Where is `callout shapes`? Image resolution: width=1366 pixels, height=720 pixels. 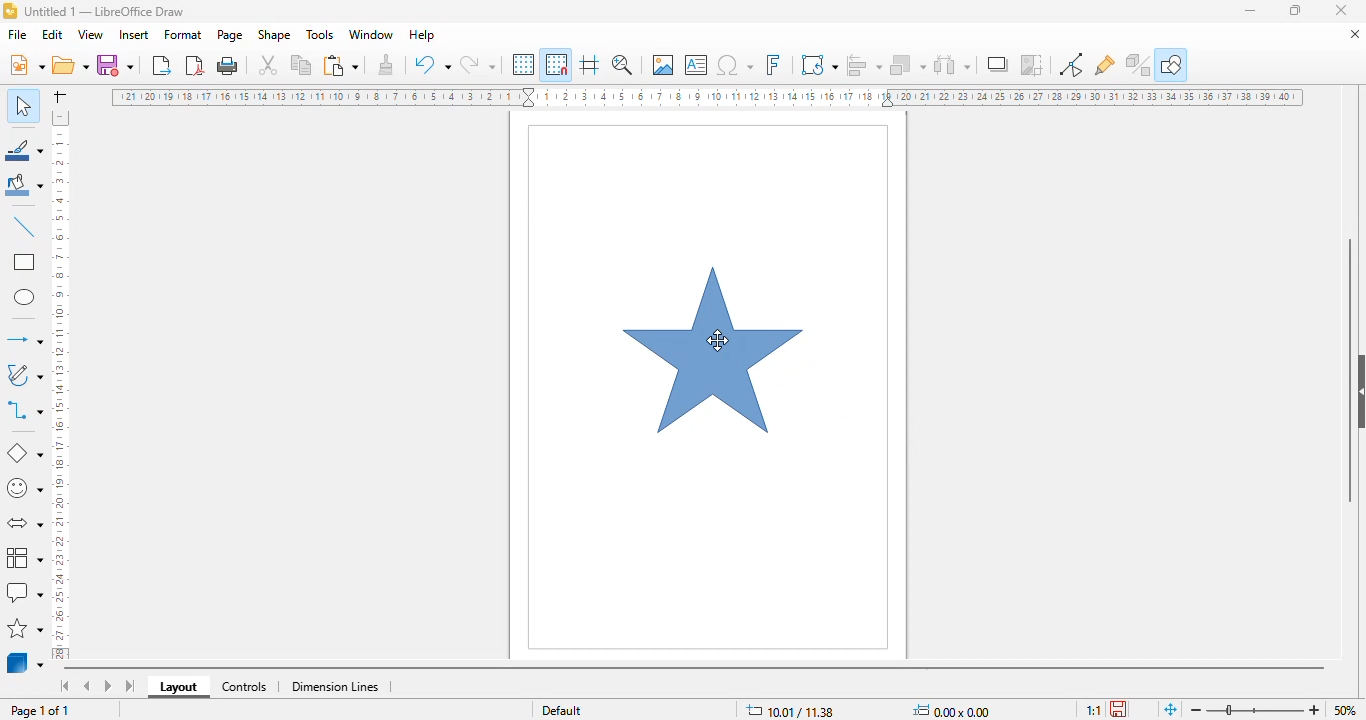 callout shapes is located at coordinates (24, 591).